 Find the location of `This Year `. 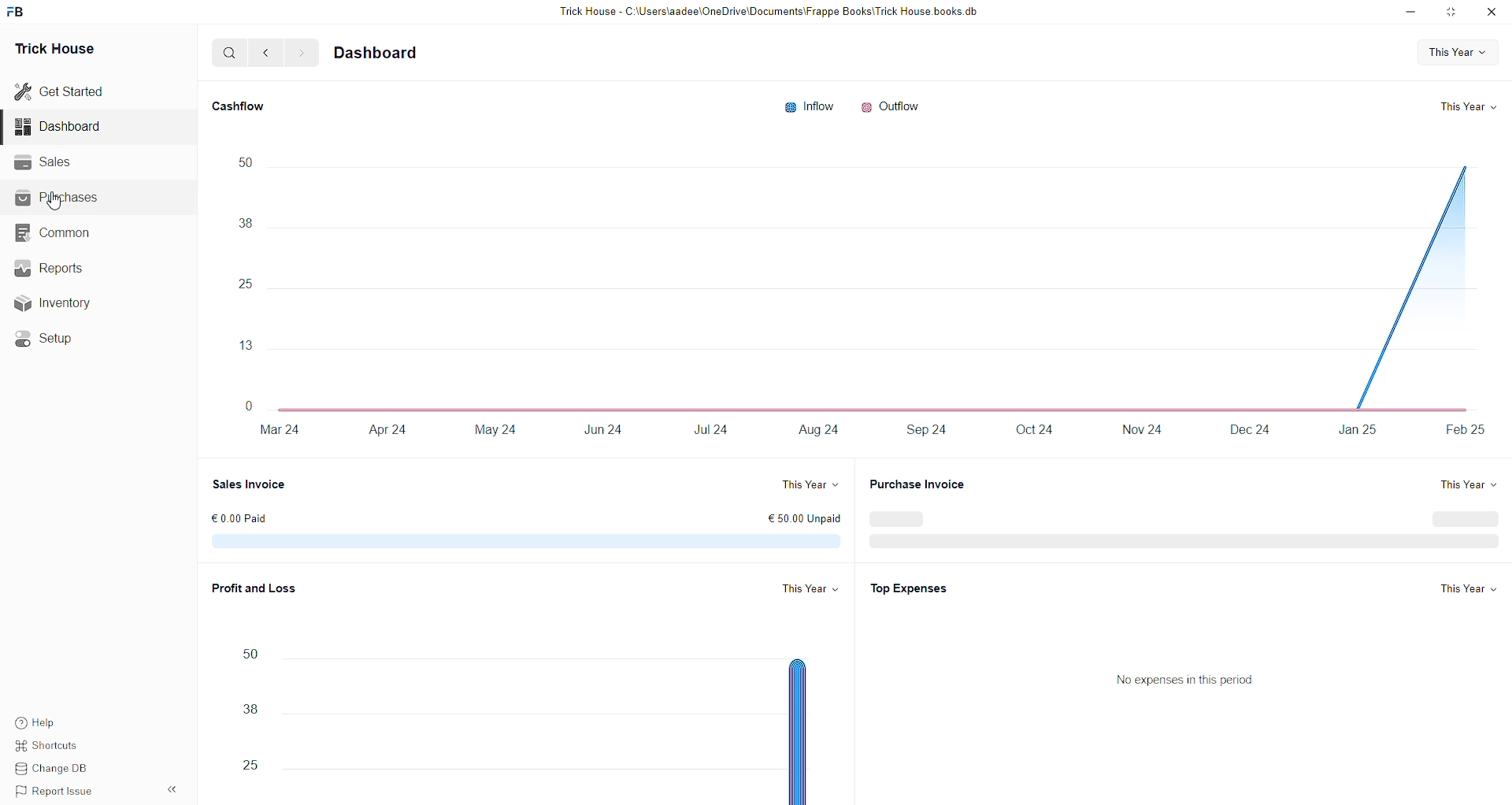

This Year  is located at coordinates (1469, 588).